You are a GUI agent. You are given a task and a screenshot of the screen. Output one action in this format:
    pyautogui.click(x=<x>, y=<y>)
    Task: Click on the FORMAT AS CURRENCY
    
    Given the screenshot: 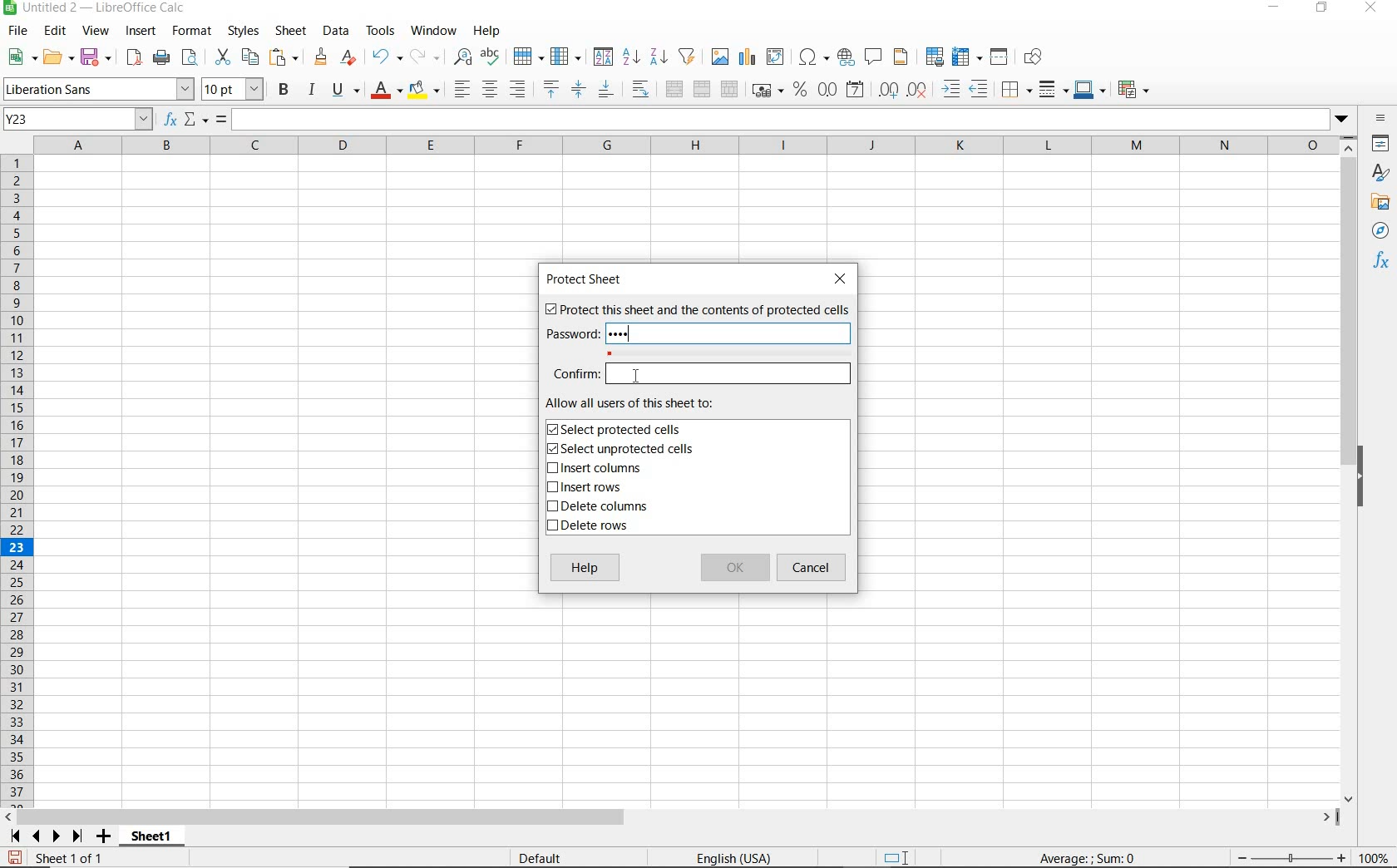 What is the action you would take?
    pyautogui.click(x=766, y=92)
    